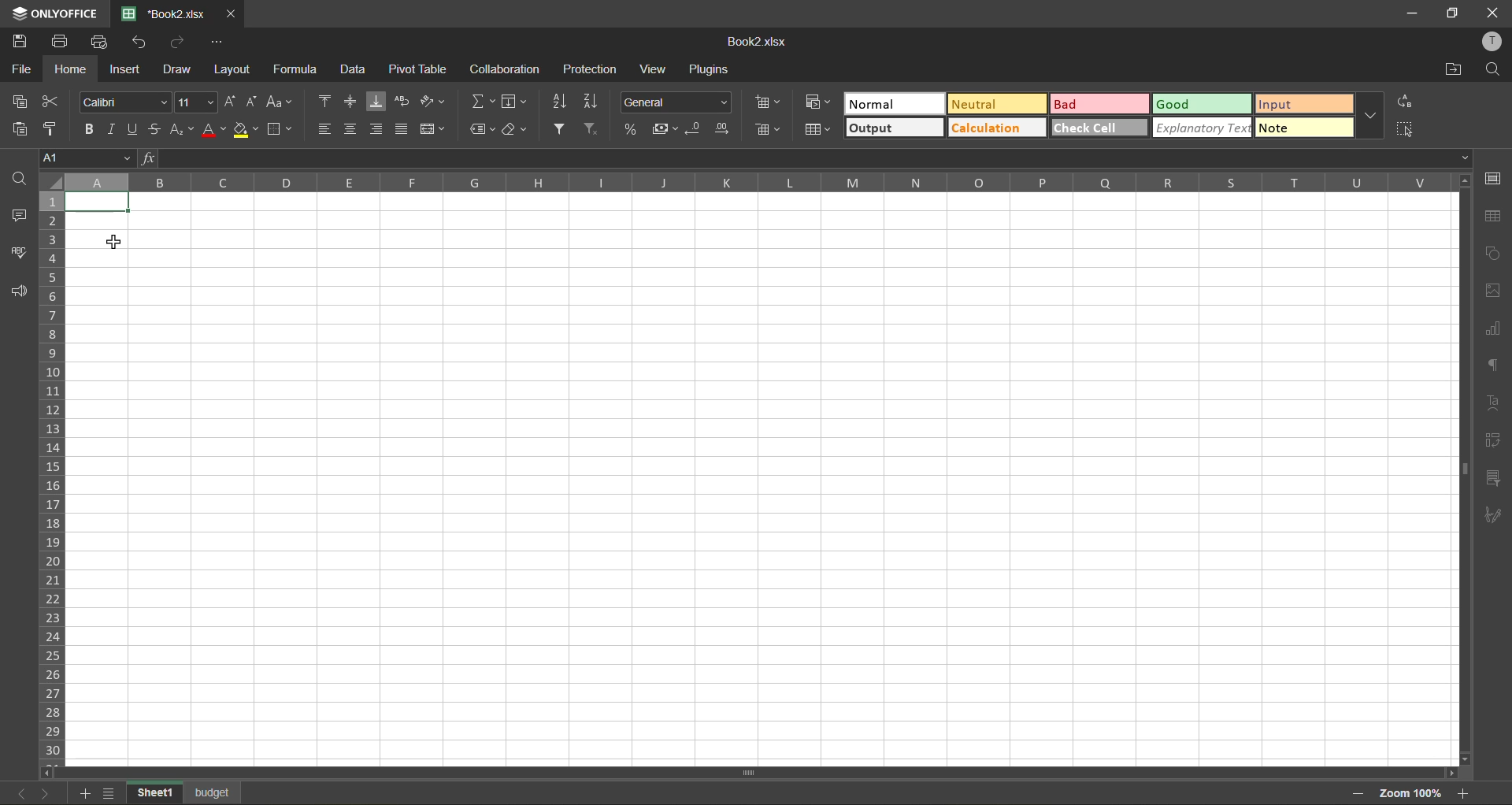 This screenshot has height=805, width=1512. I want to click on align middle, so click(353, 102).